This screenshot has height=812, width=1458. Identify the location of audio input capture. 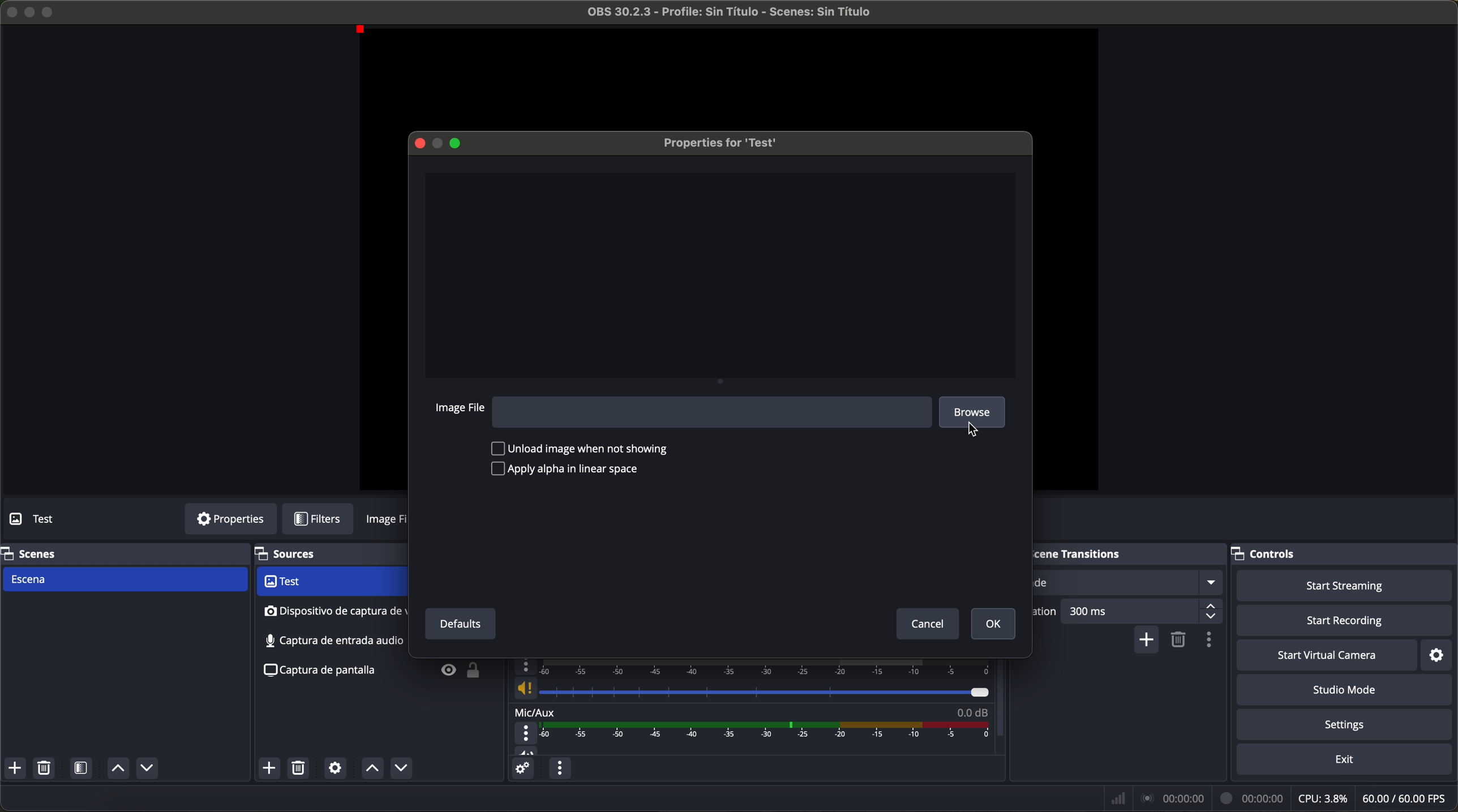
(333, 611).